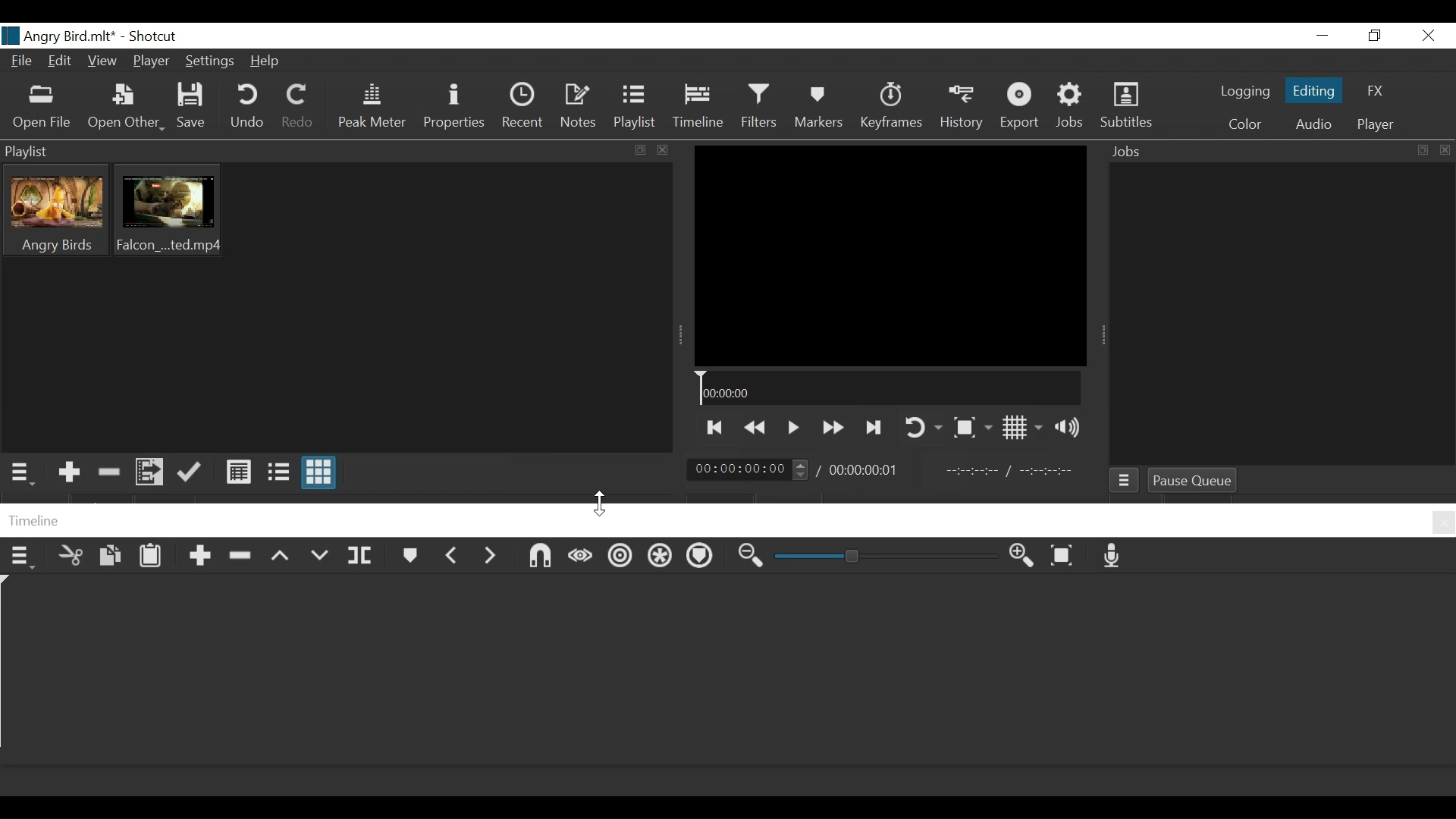  I want to click on Timeline menu, so click(22, 560).